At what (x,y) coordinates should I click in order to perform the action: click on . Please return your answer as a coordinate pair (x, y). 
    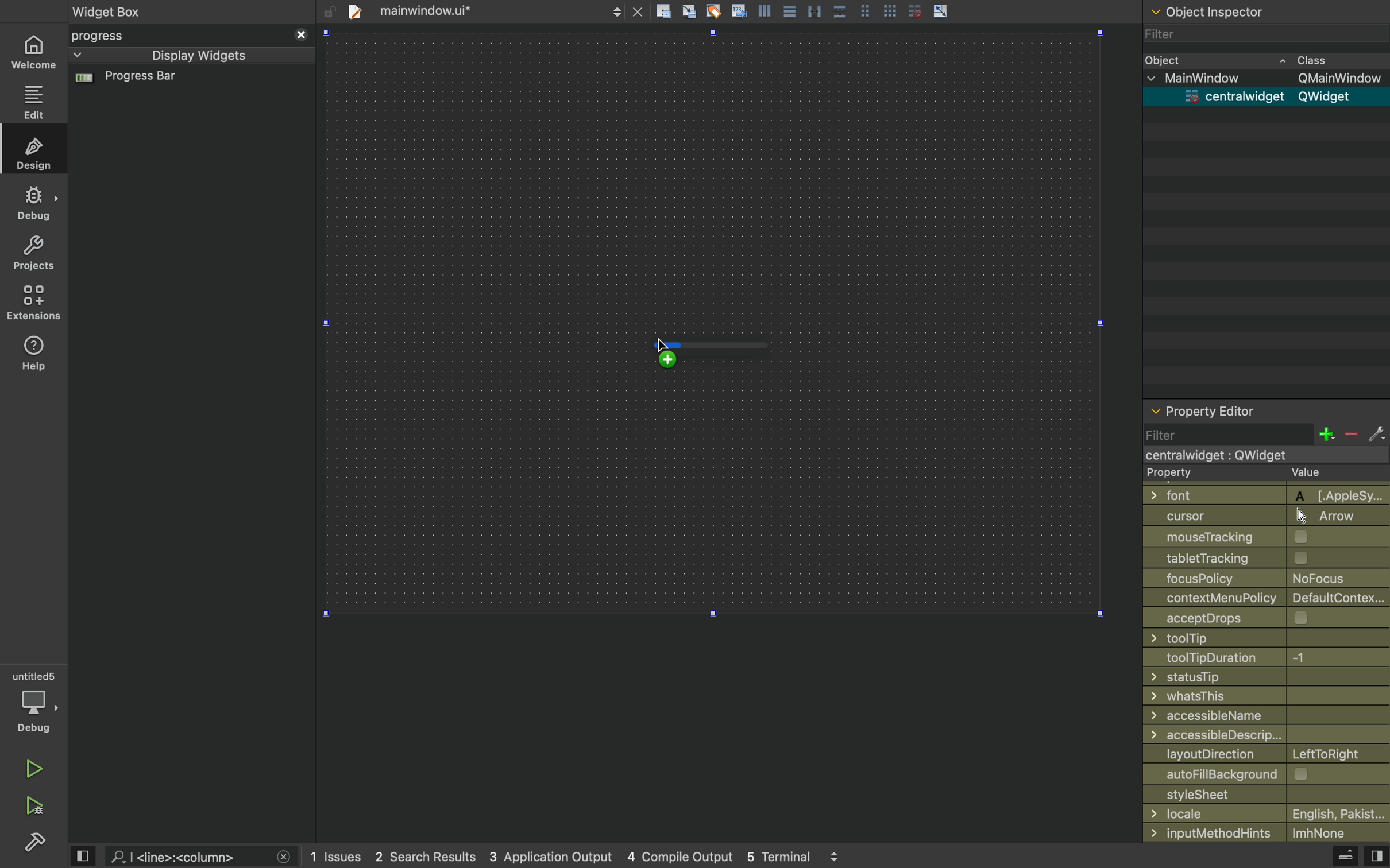
    Looking at the image, I should click on (78, 858).